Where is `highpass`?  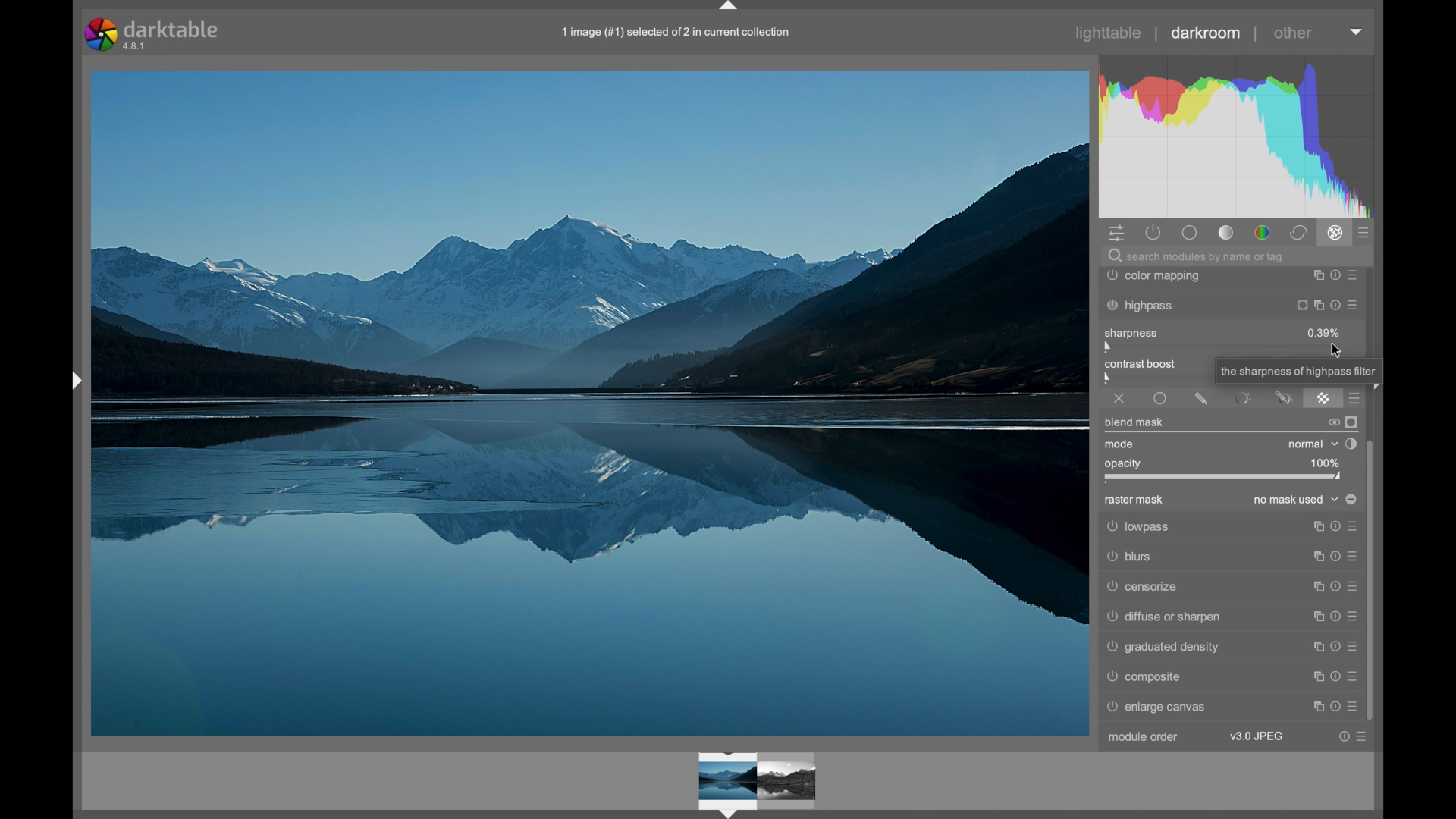 highpass is located at coordinates (1229, 306).